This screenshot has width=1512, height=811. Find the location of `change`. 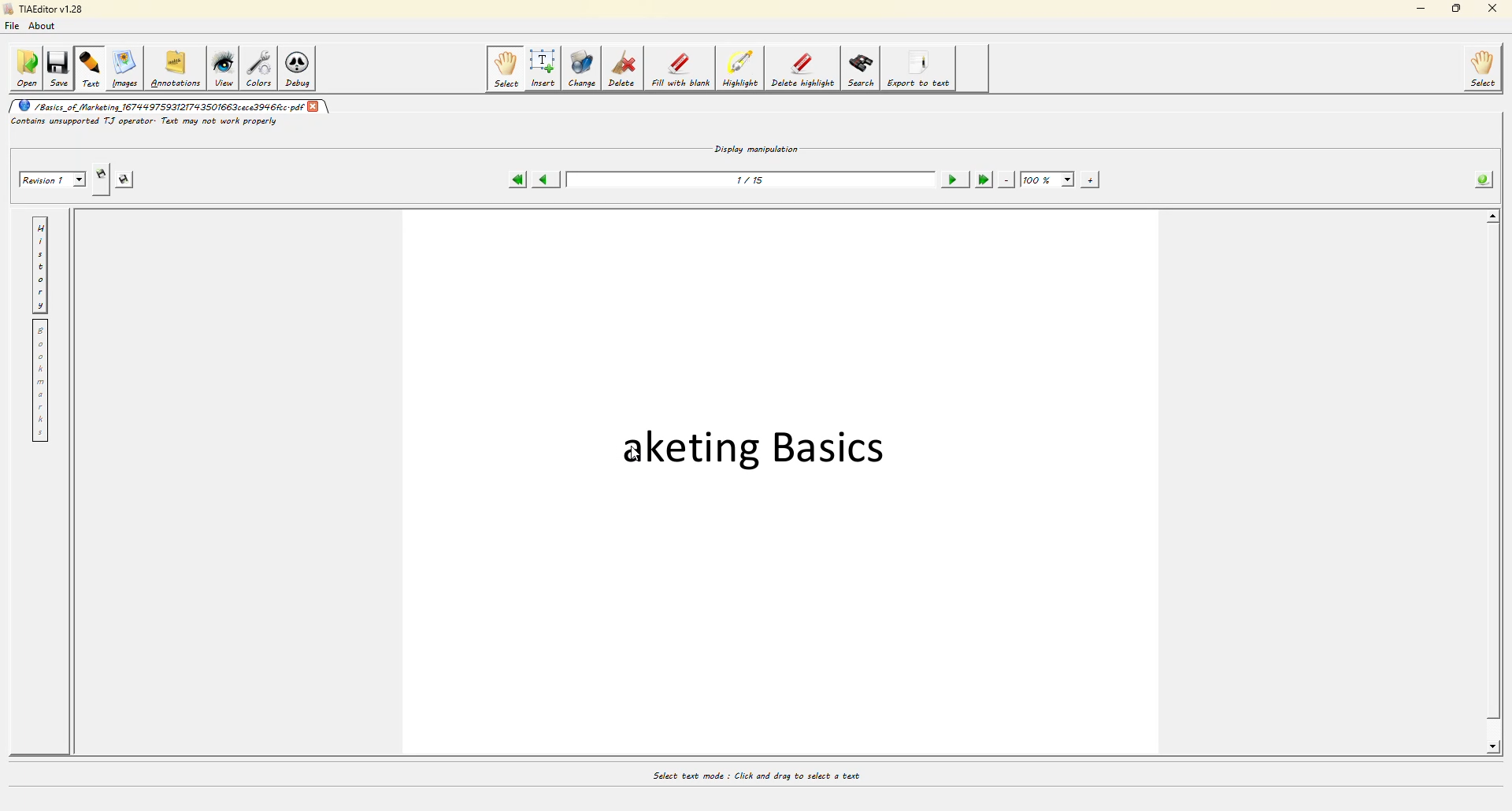

change is located at coordinates (580, 68).